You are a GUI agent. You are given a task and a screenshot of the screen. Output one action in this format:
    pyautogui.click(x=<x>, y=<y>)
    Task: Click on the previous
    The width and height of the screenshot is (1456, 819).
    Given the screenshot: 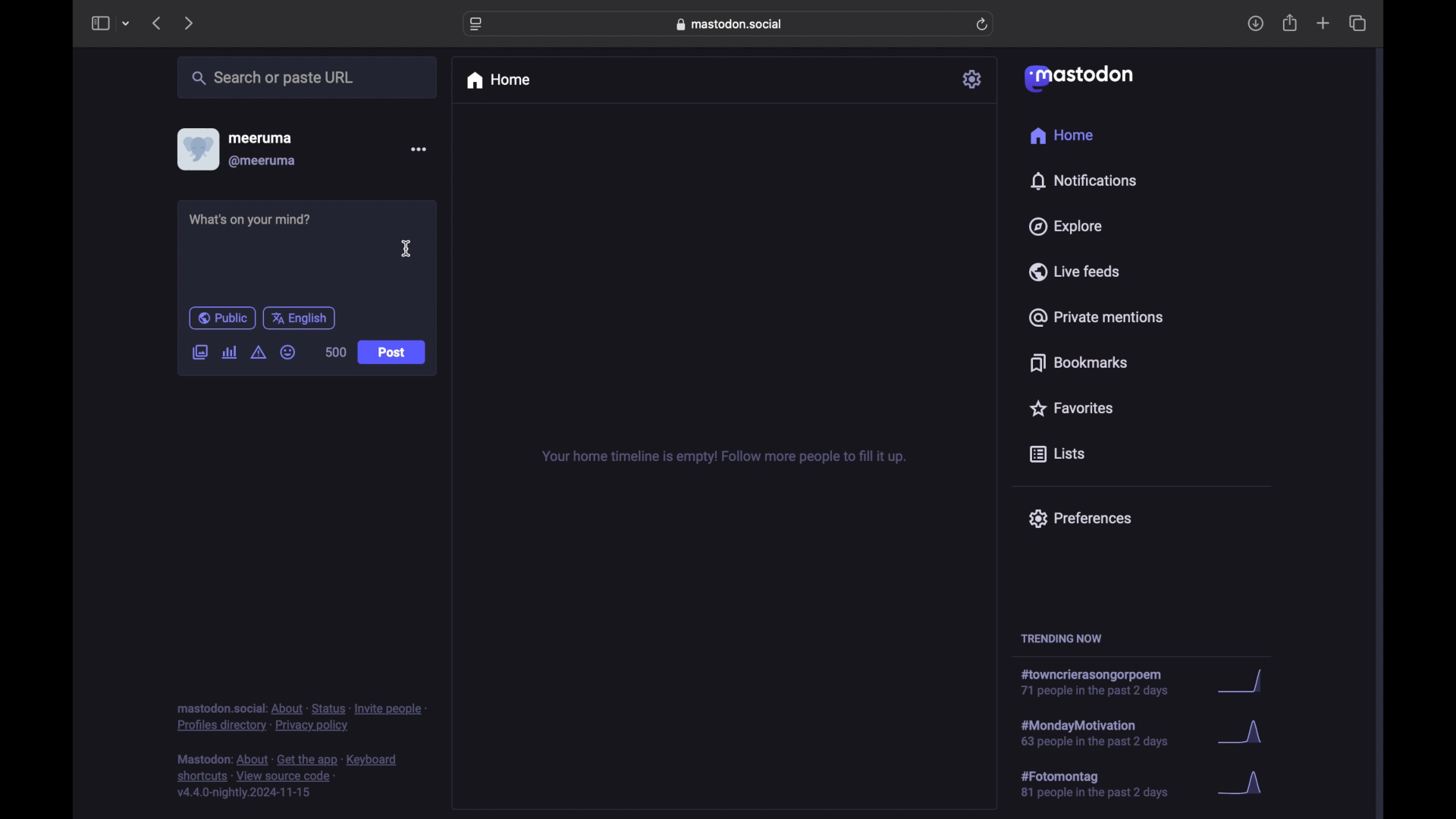 What is the action you would take?
    pyautogui.click(x=156, y=23)
    